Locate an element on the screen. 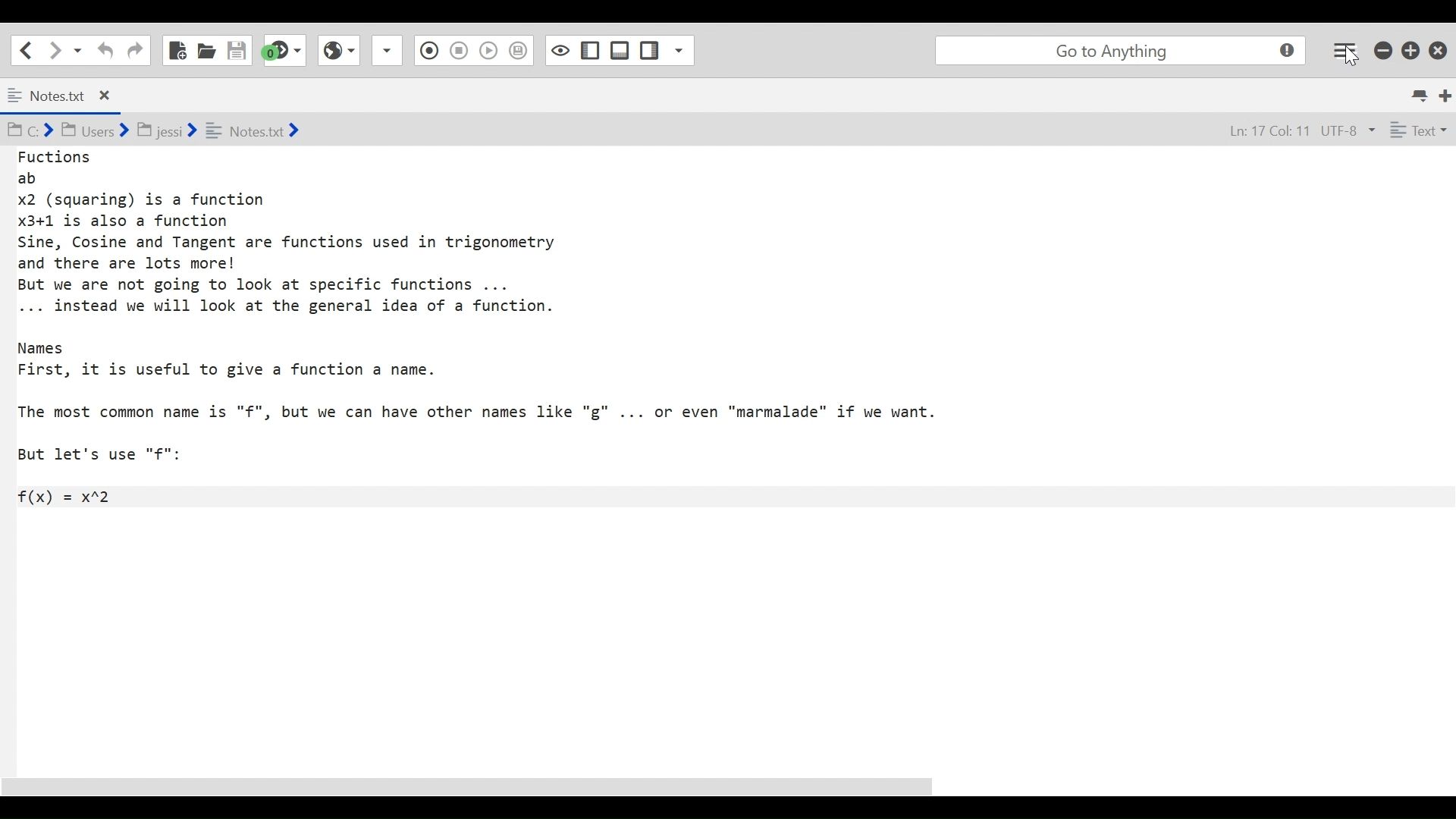 This screenshot has height=819, width=1456. Jump to next syntax checking result is located at coordinates (284, 50).